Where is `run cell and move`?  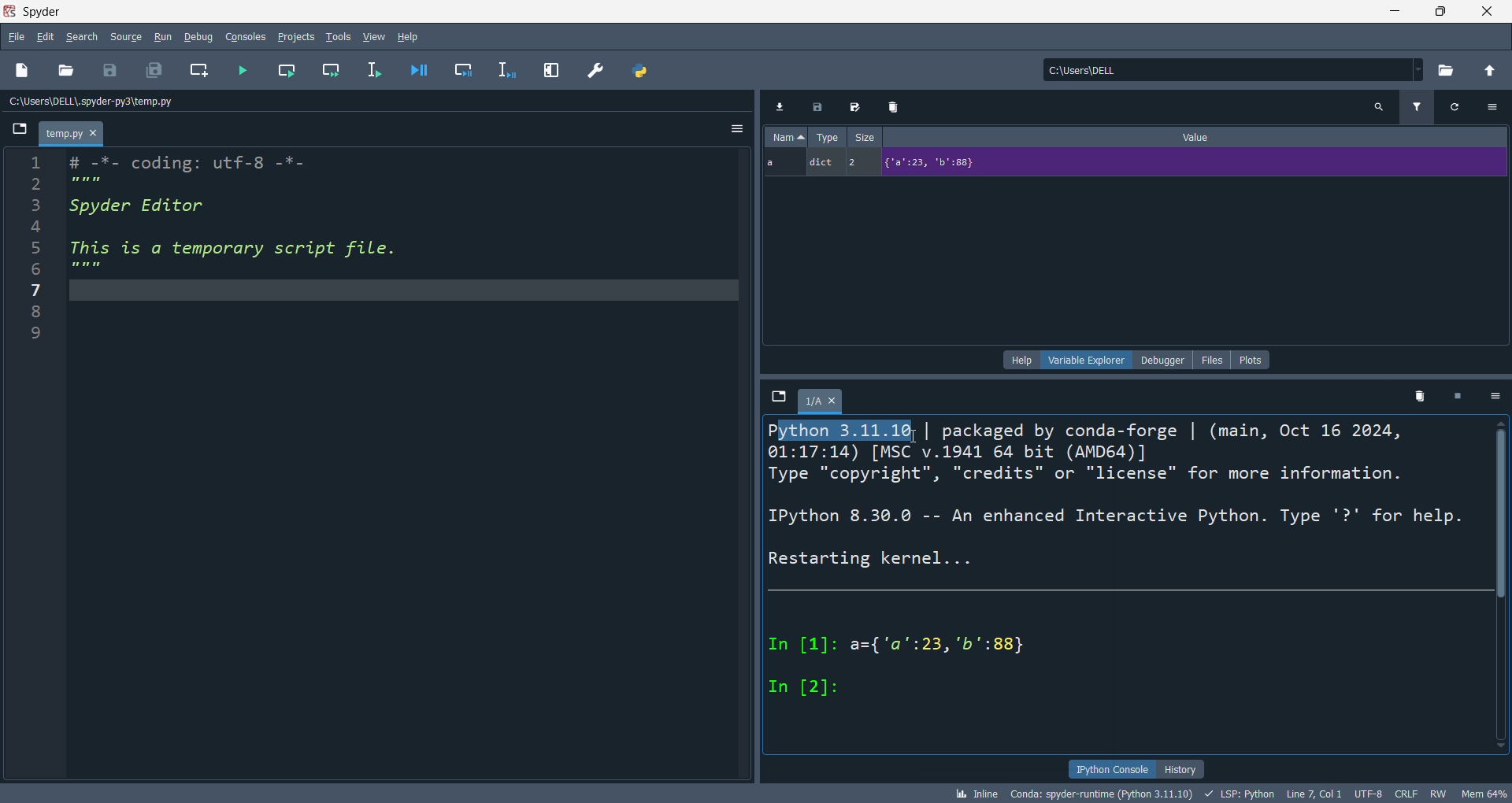
run cell and move is located at coordinates (335, 68).